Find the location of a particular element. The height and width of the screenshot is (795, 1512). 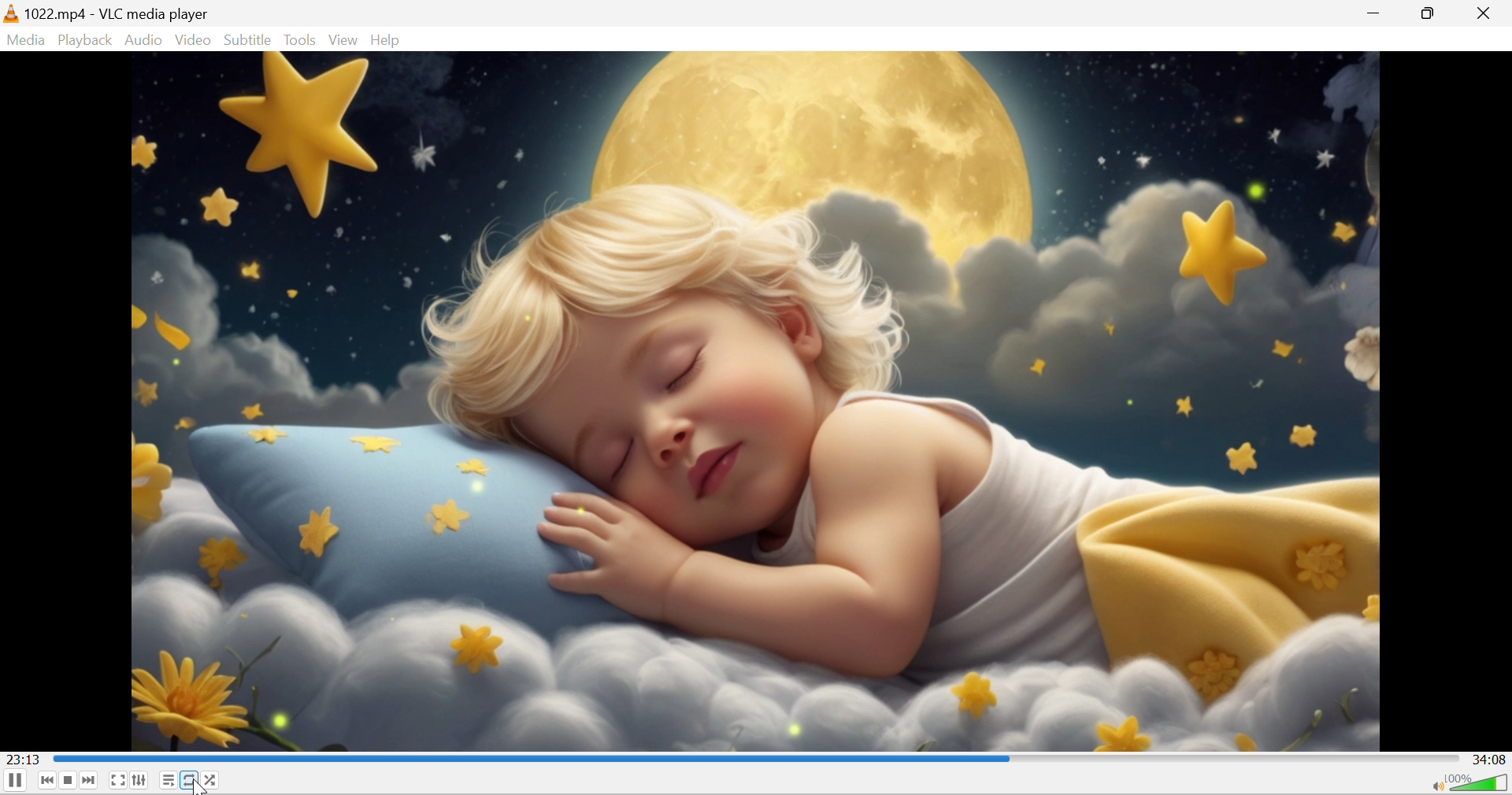

23:13 is located at coordinates (24, 759).